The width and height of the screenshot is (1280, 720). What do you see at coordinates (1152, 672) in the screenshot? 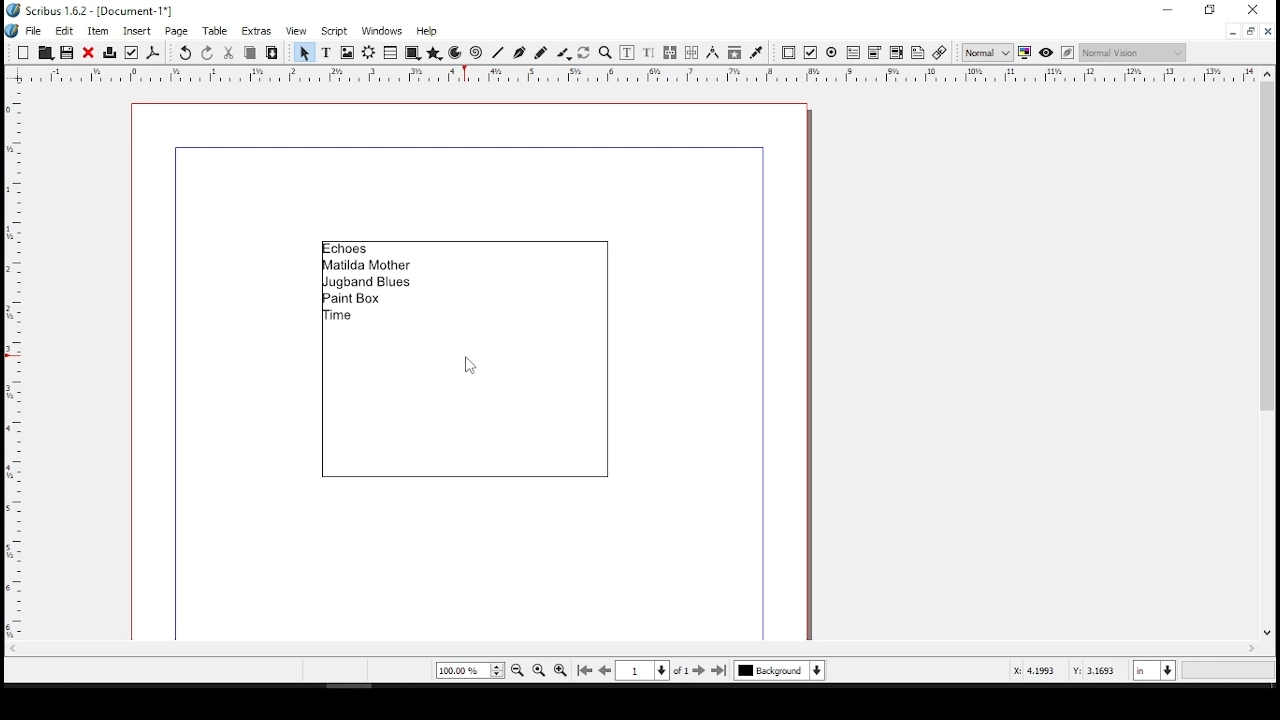
I see `units` at bounding box center [1152, 672].